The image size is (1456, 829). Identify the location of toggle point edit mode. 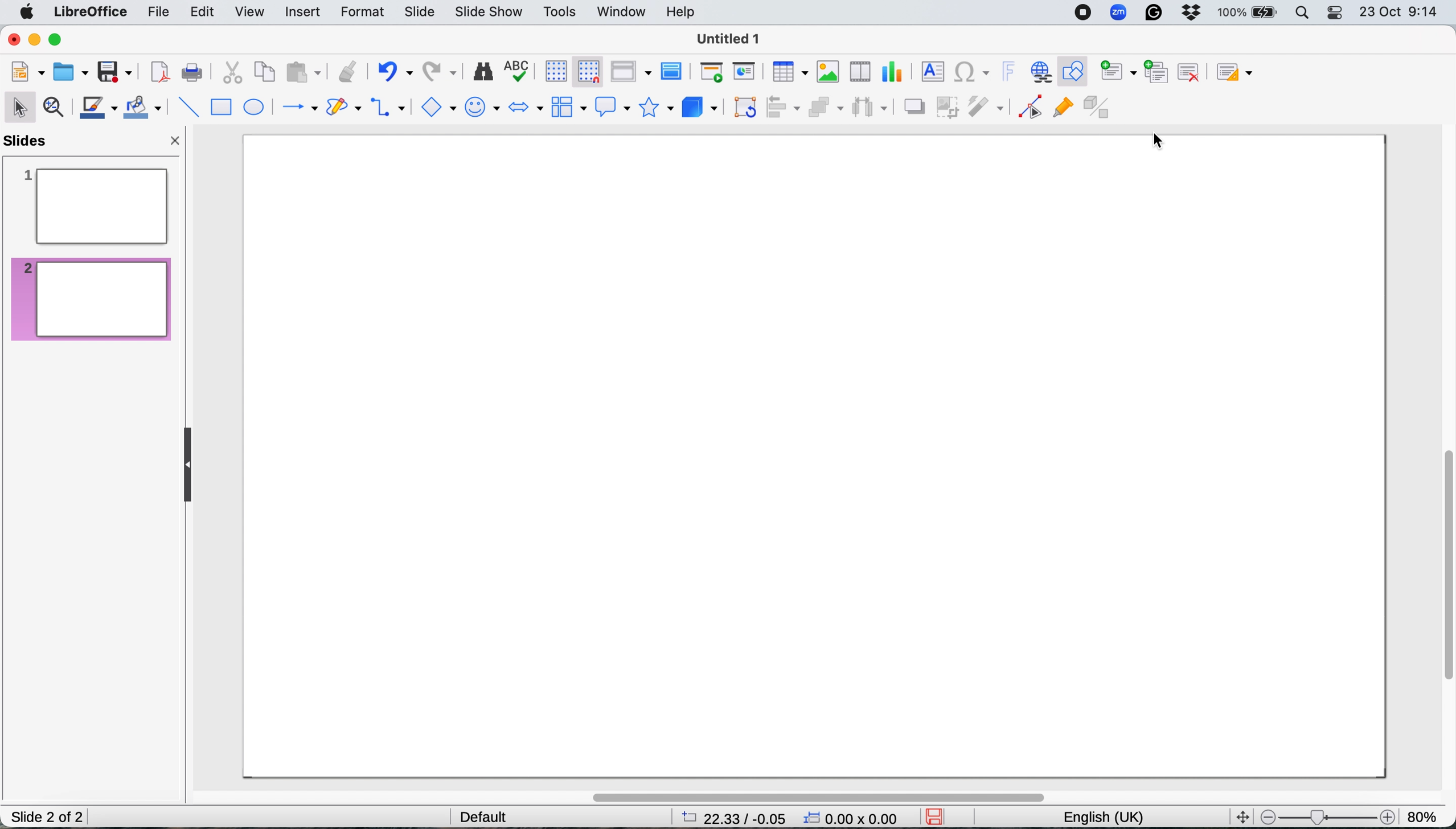
(1031, 108).